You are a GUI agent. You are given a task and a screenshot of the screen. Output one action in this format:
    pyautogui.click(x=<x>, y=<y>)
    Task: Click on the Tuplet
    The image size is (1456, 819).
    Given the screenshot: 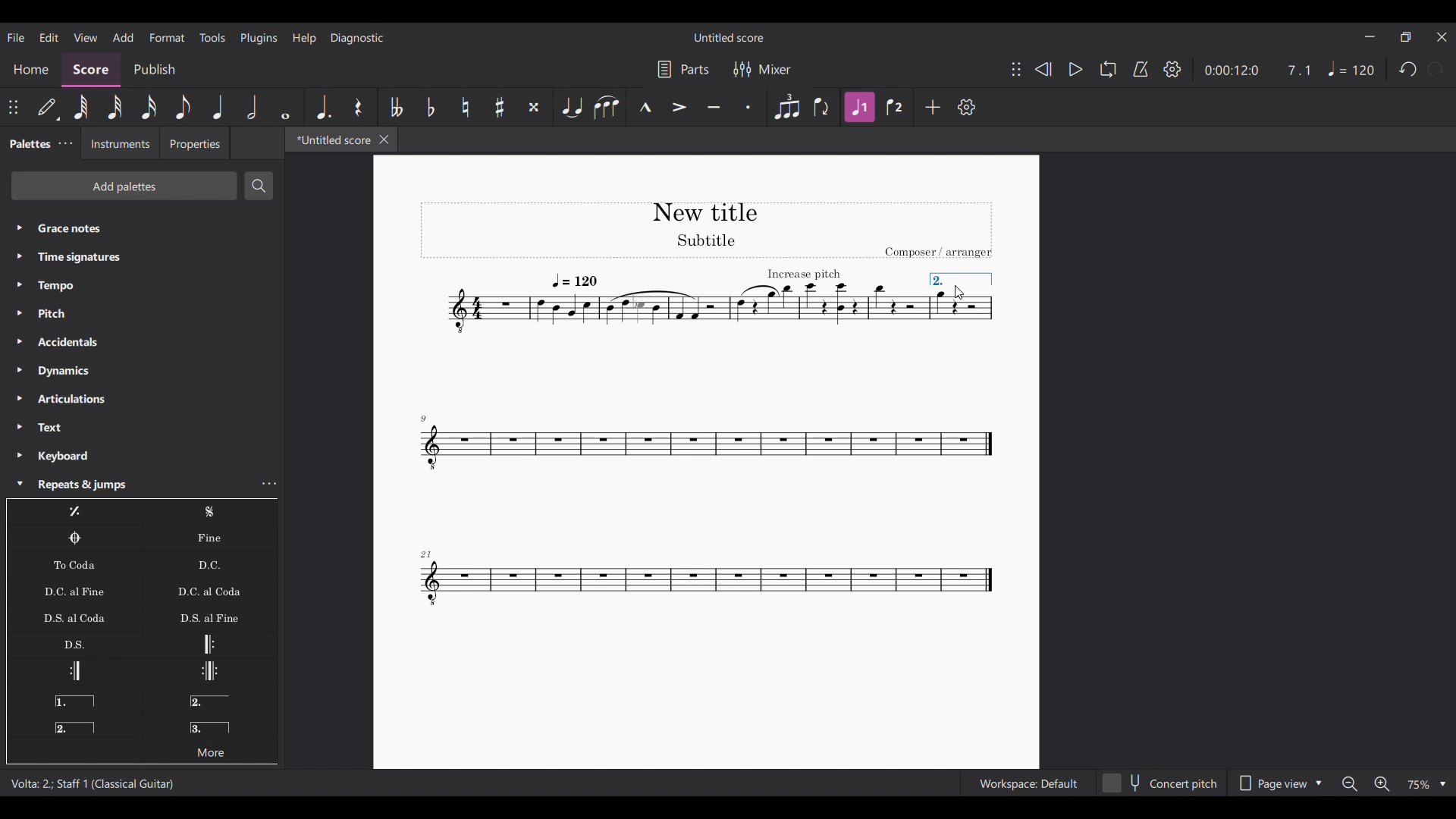 What is the action you would take?
    pyautogui.click(x=786, y=107)
    